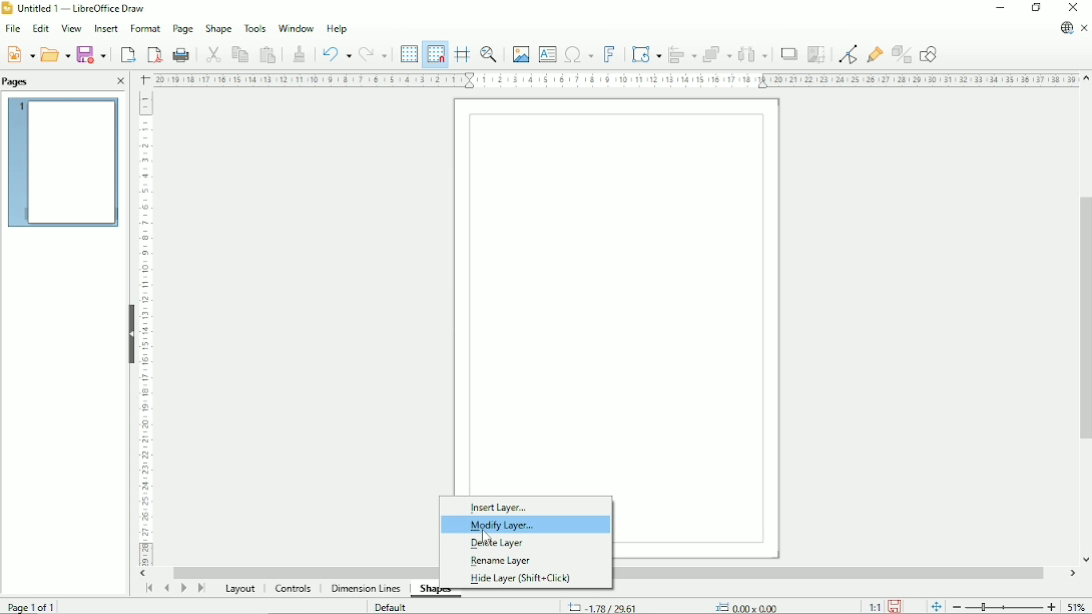 Image resolution: width=1092 pixels, height=614 pixels. What do you see at coordinates (148, 589) in the screenshot?
I see `Scroll to first page` at bounding box center [148, 589].